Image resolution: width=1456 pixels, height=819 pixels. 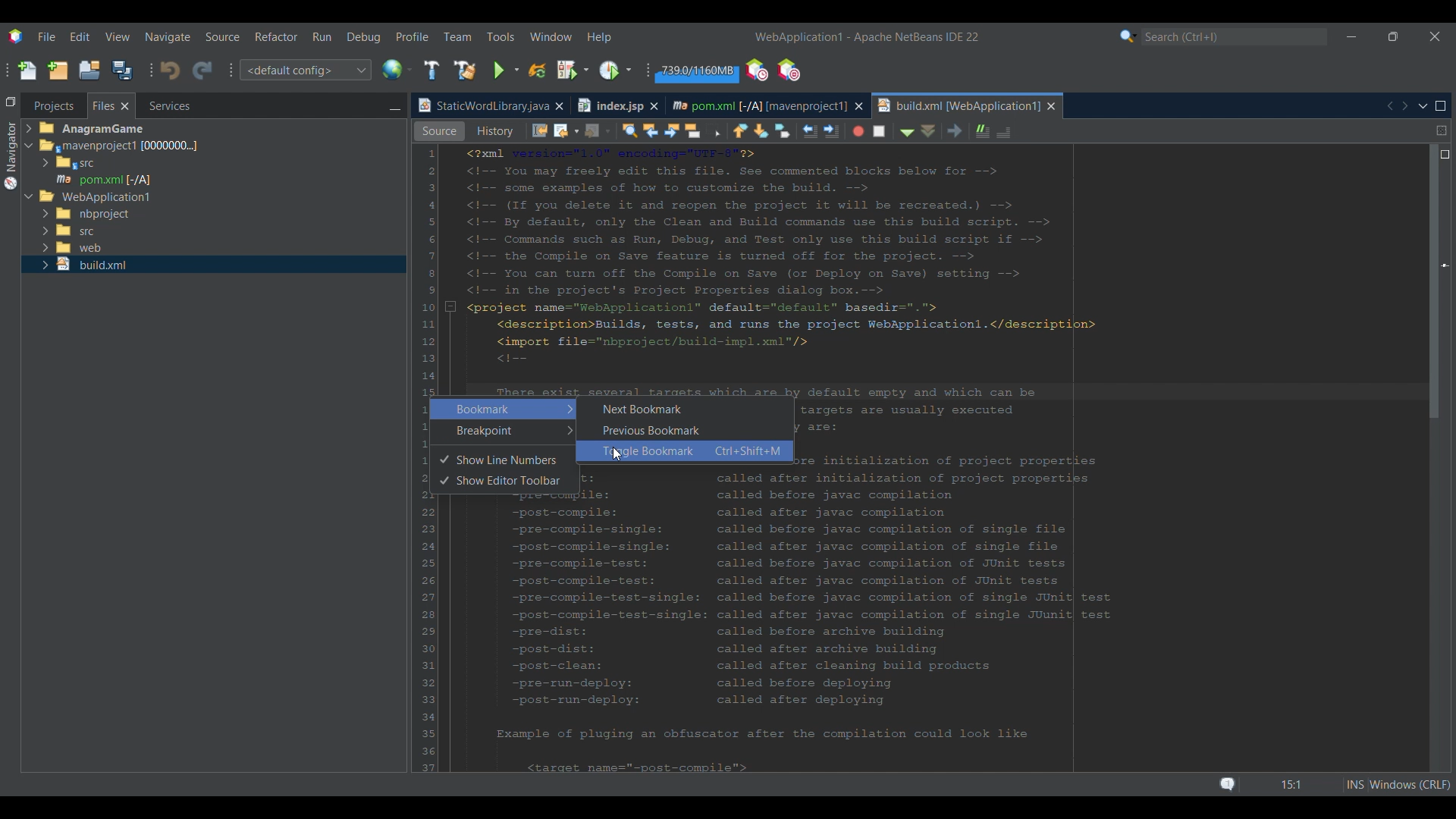 I want to click on Run main project options, so click(x=507, y=71).